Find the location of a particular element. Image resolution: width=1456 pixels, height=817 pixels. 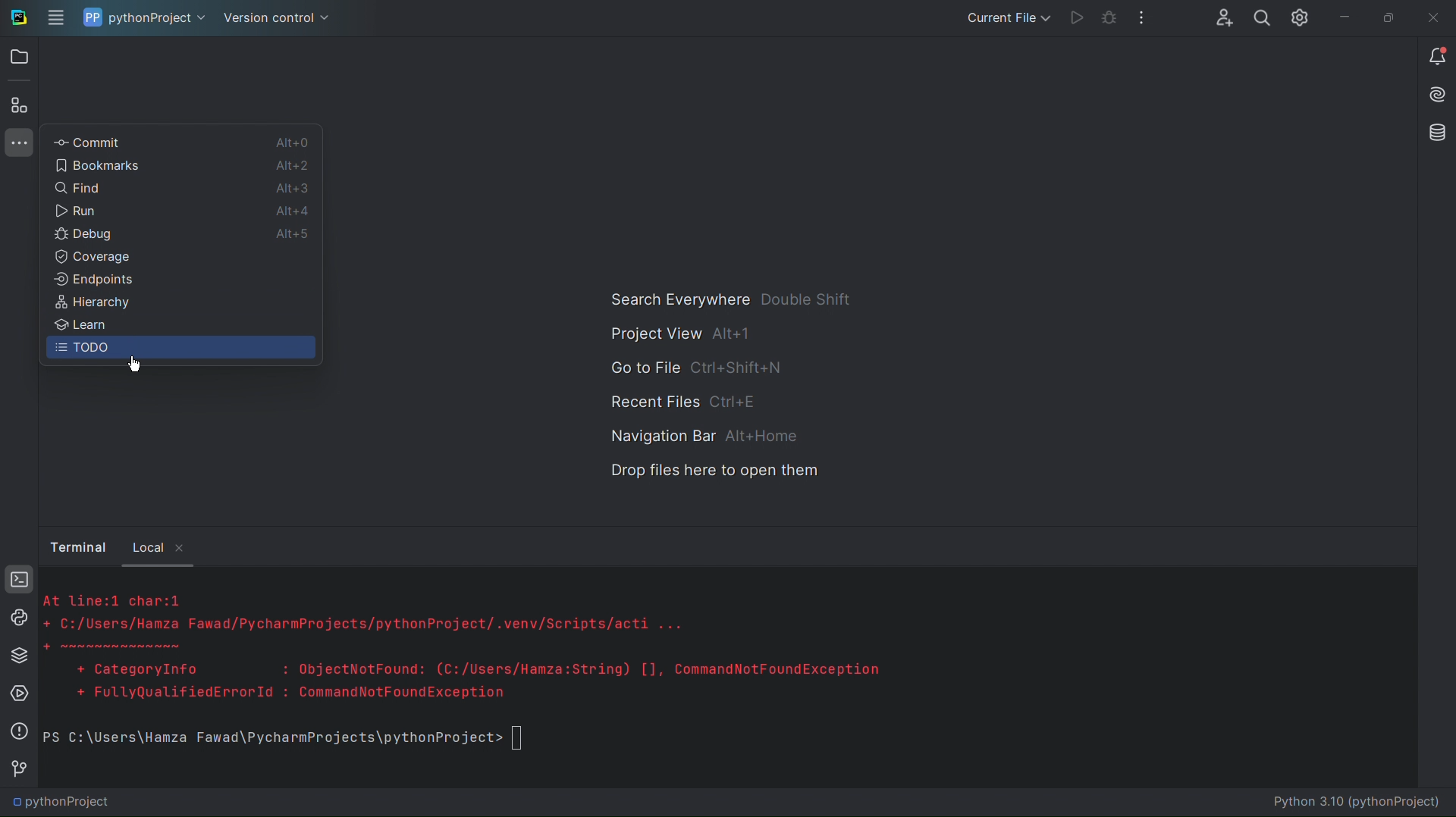

Current File is located at coordinates (1004, 17).